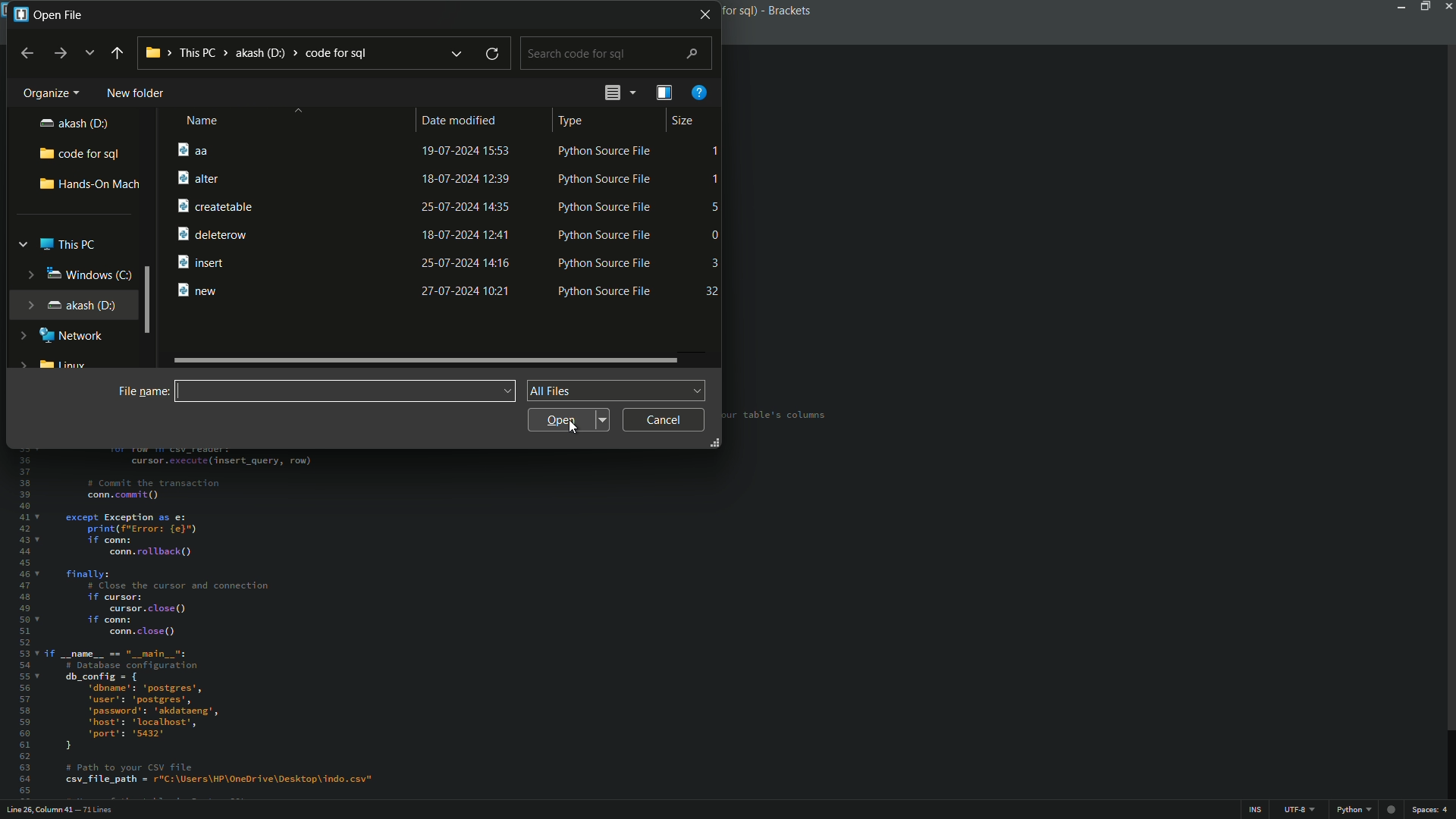 This screenshot has height=819, width=1456. Describe the element at coordinates (605, 207) in the screenshot. I see `Python Source File` at that location.